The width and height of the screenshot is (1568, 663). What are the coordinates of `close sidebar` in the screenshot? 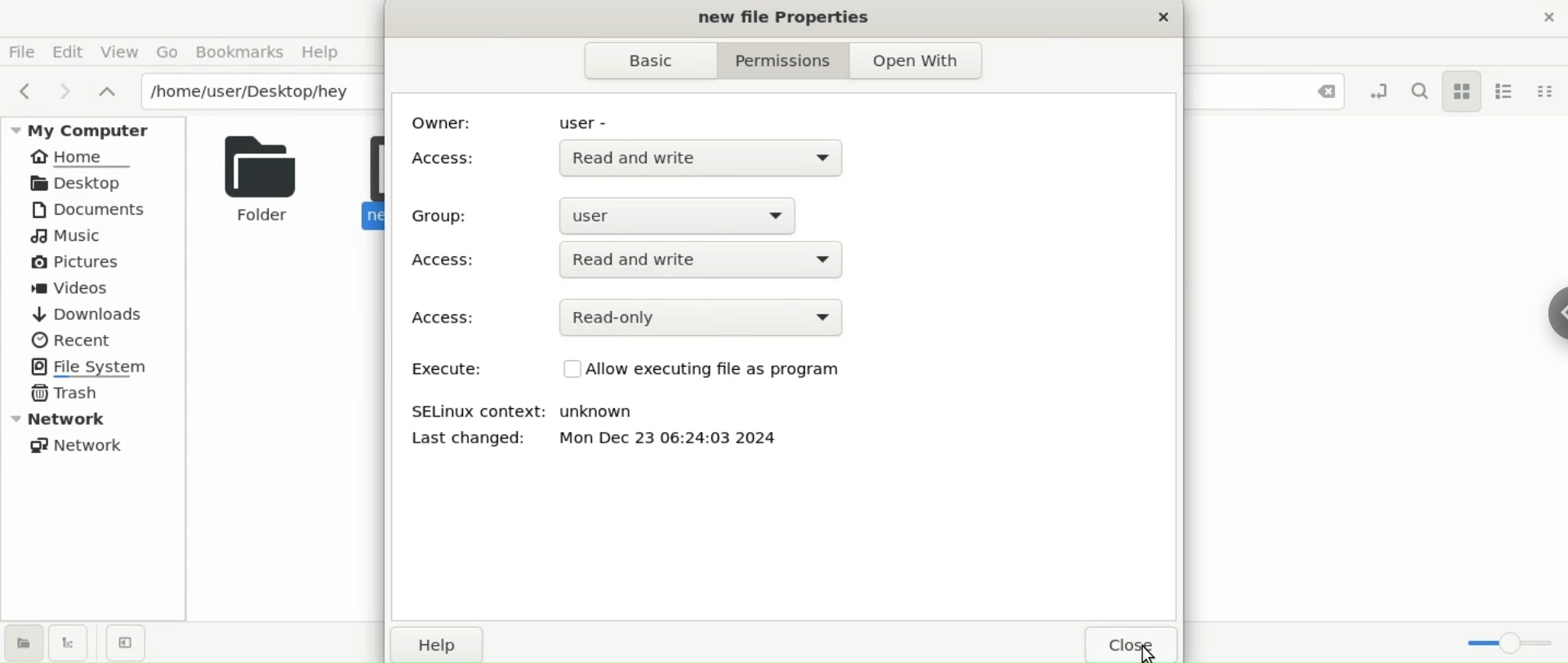 It's located at (126, 643).